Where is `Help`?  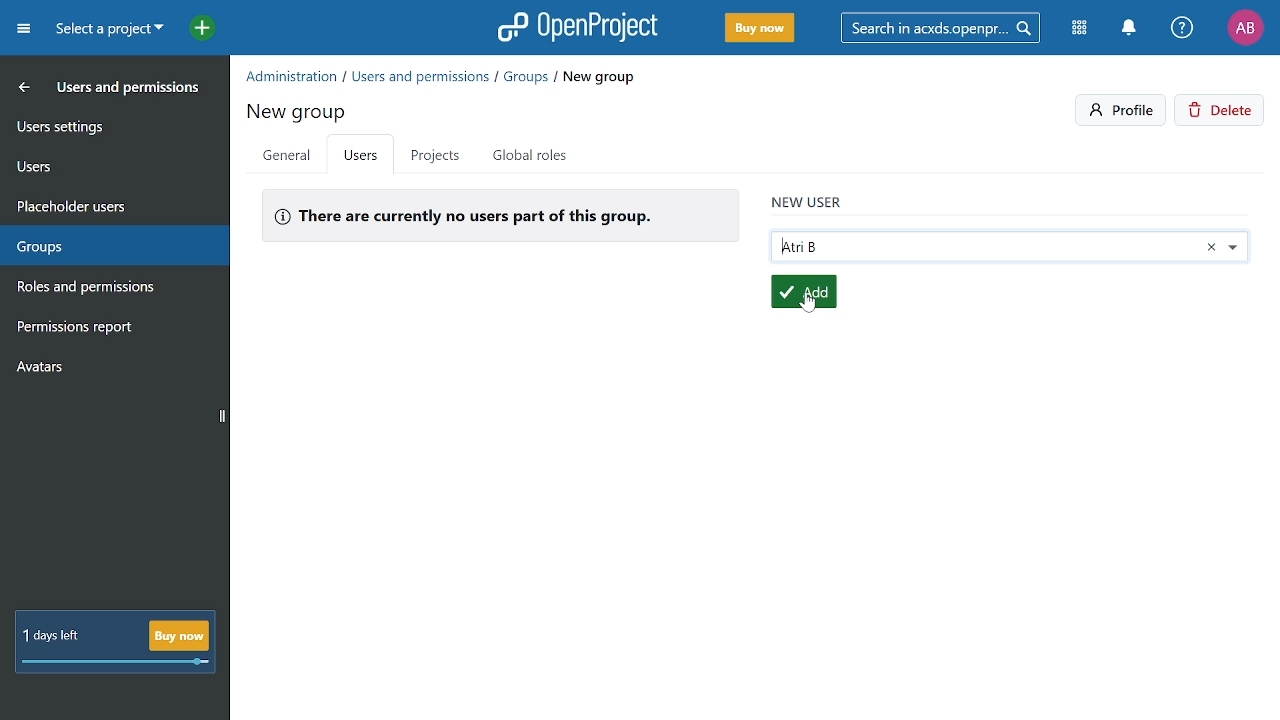
Help is located at coordinates (1183, 29).